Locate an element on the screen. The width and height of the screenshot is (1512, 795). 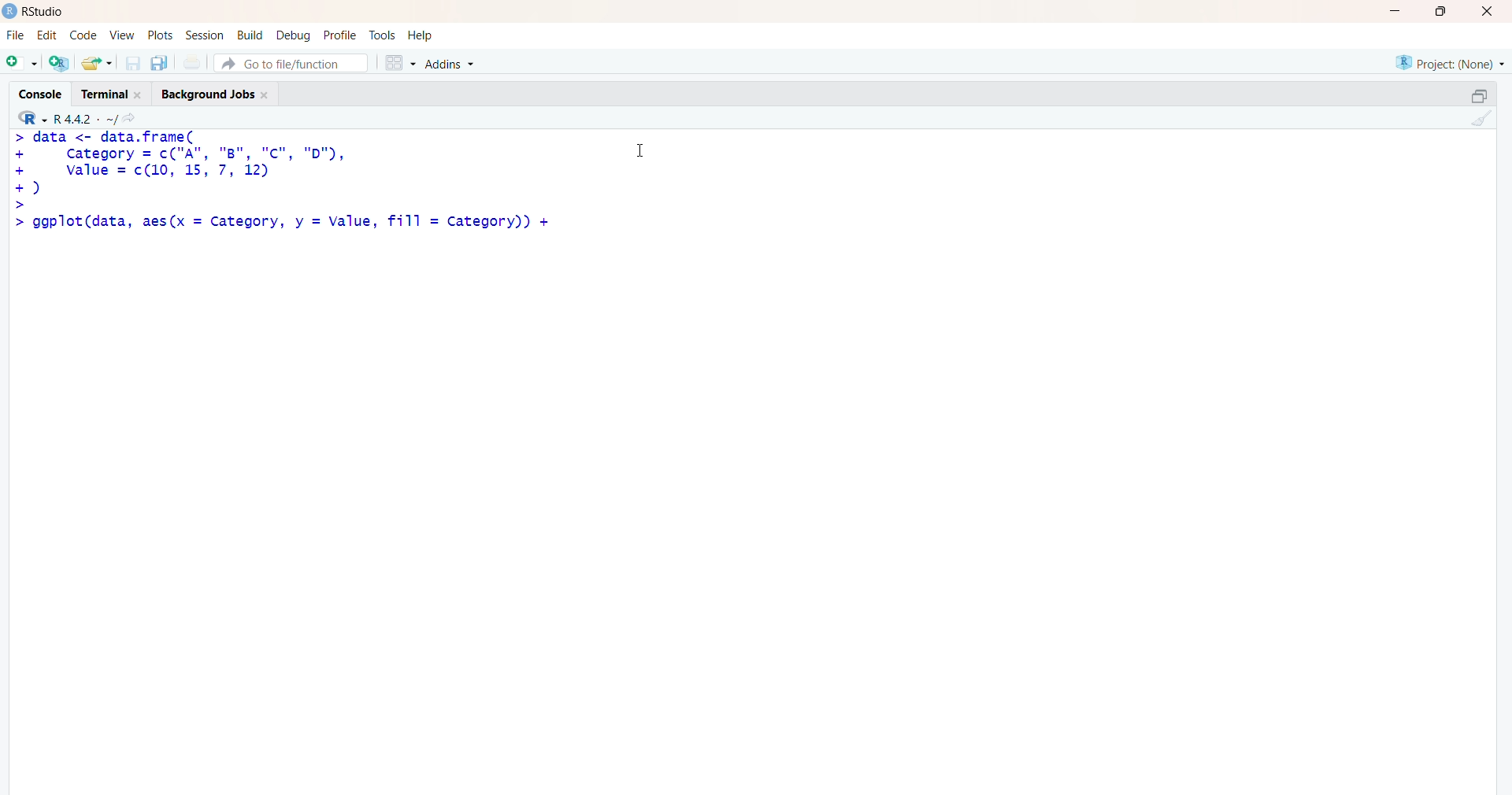
File is located at coordinates (16, 35).